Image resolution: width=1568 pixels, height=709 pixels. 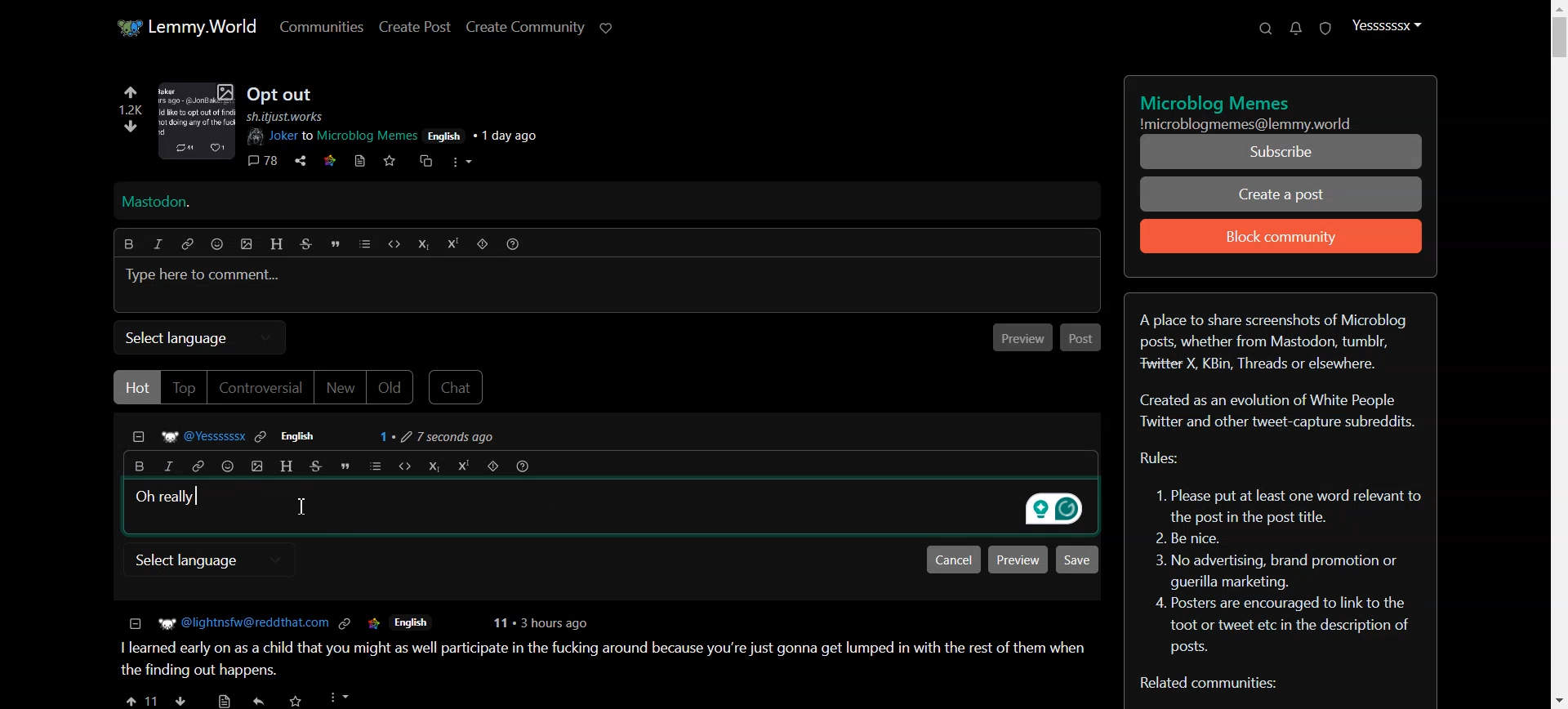 I want to click on Spoiler, so click(x=492, y=467).